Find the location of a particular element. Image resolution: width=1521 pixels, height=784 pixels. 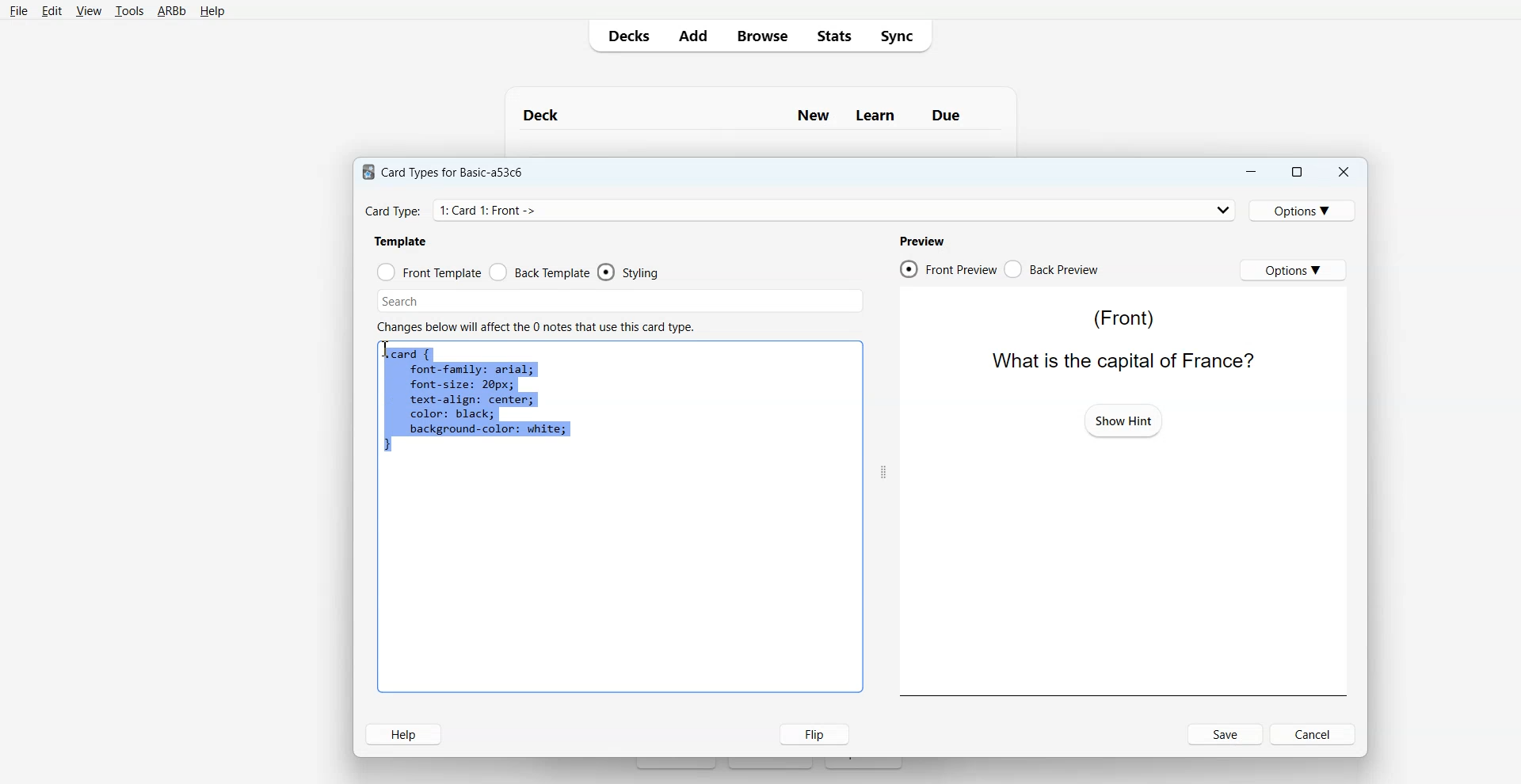

Save is located at coordinates (1226, 734).